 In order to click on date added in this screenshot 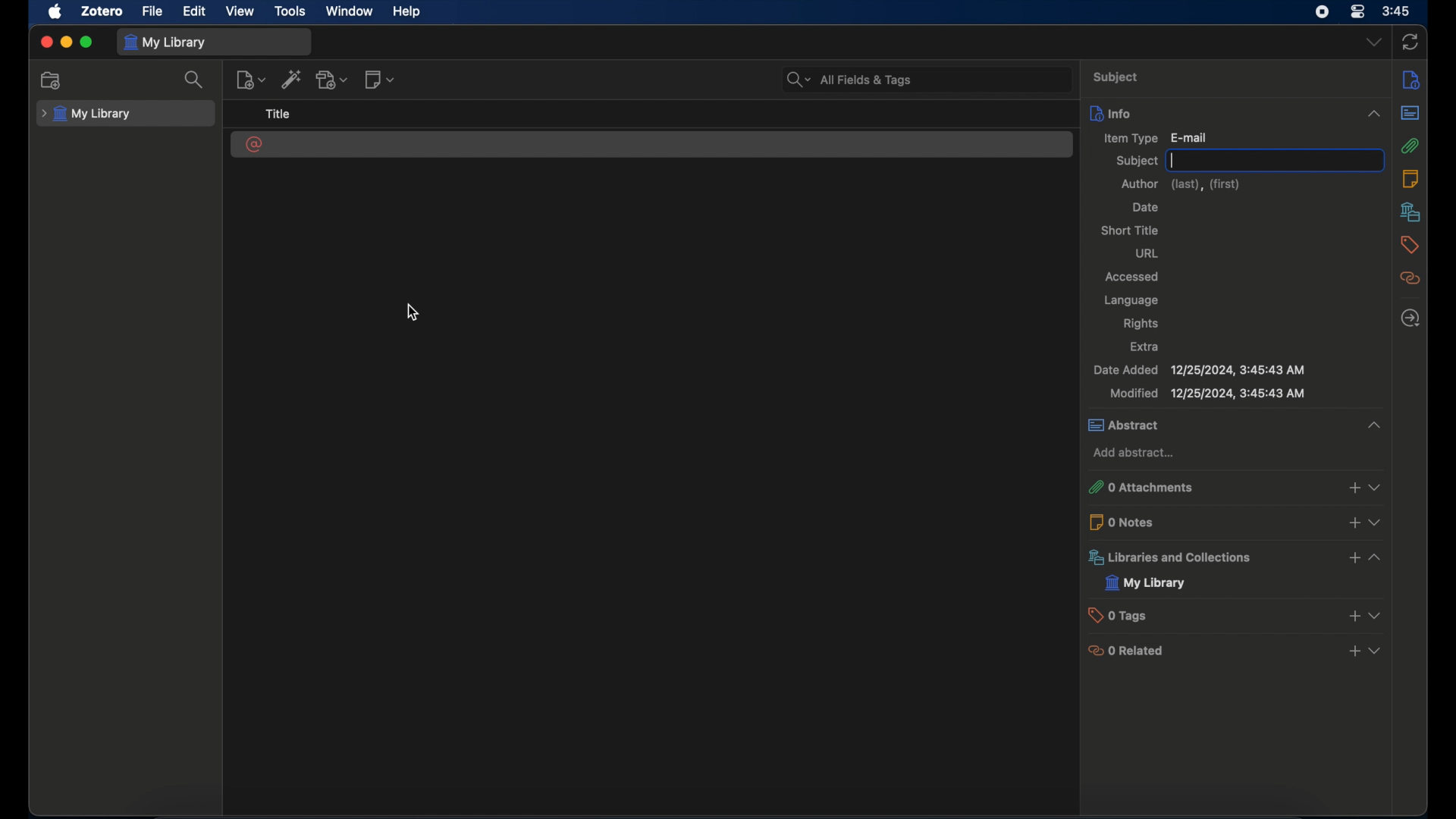, I will do `click(1200, 370)`.